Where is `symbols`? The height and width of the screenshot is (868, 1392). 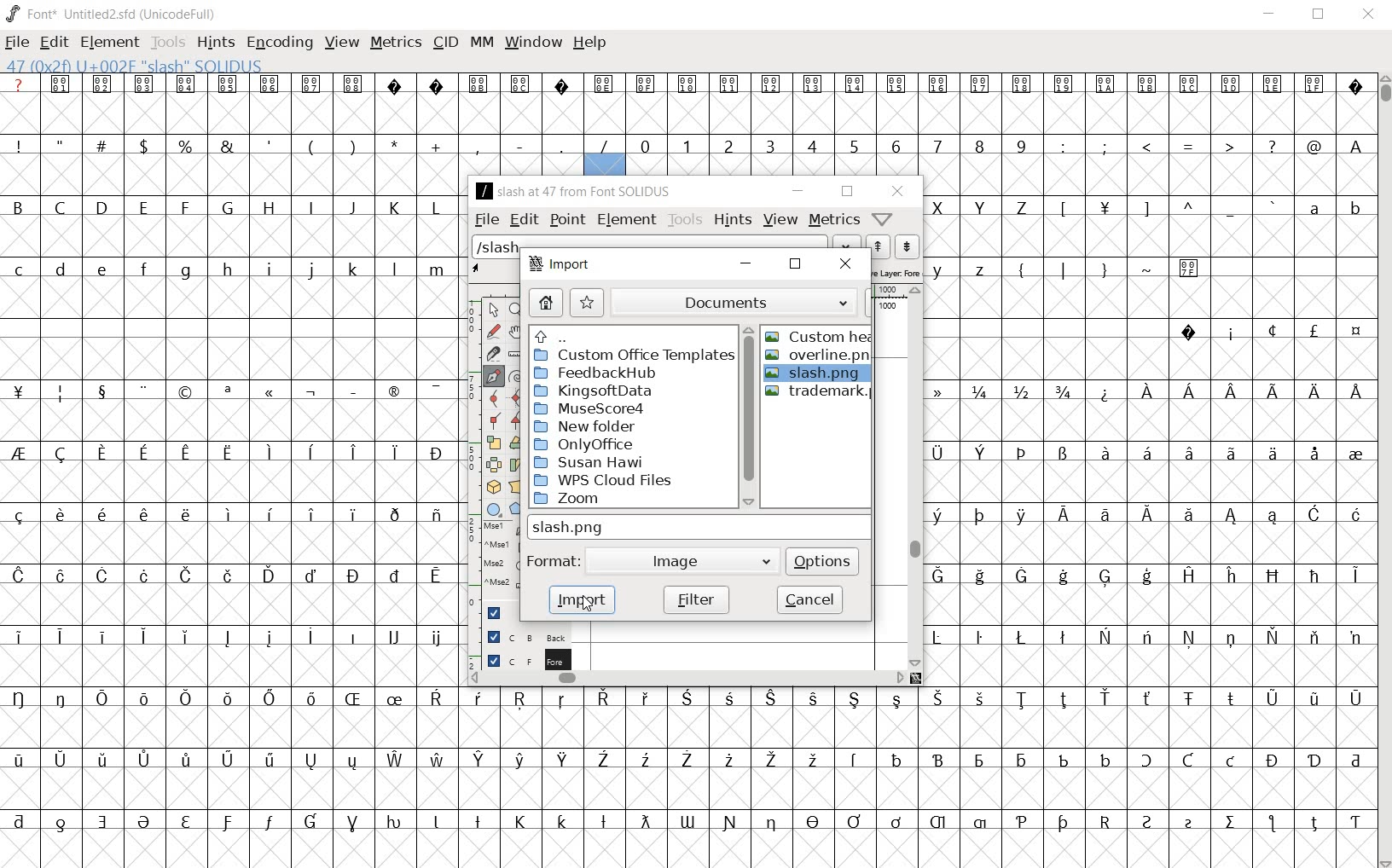
symbols is located at coordinates (238, 391).